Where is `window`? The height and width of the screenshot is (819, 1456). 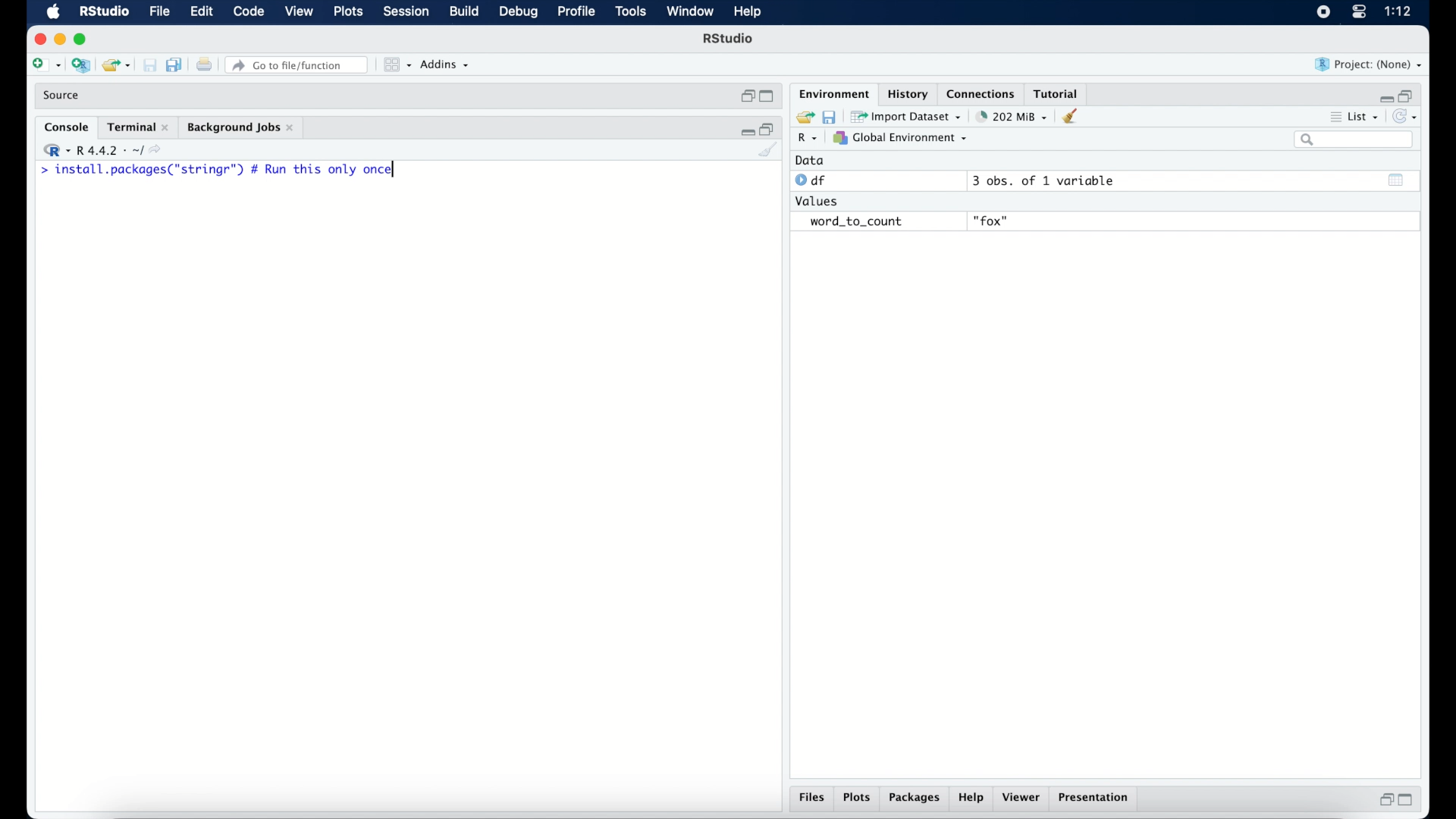 window is located at coordinates (690, 12).